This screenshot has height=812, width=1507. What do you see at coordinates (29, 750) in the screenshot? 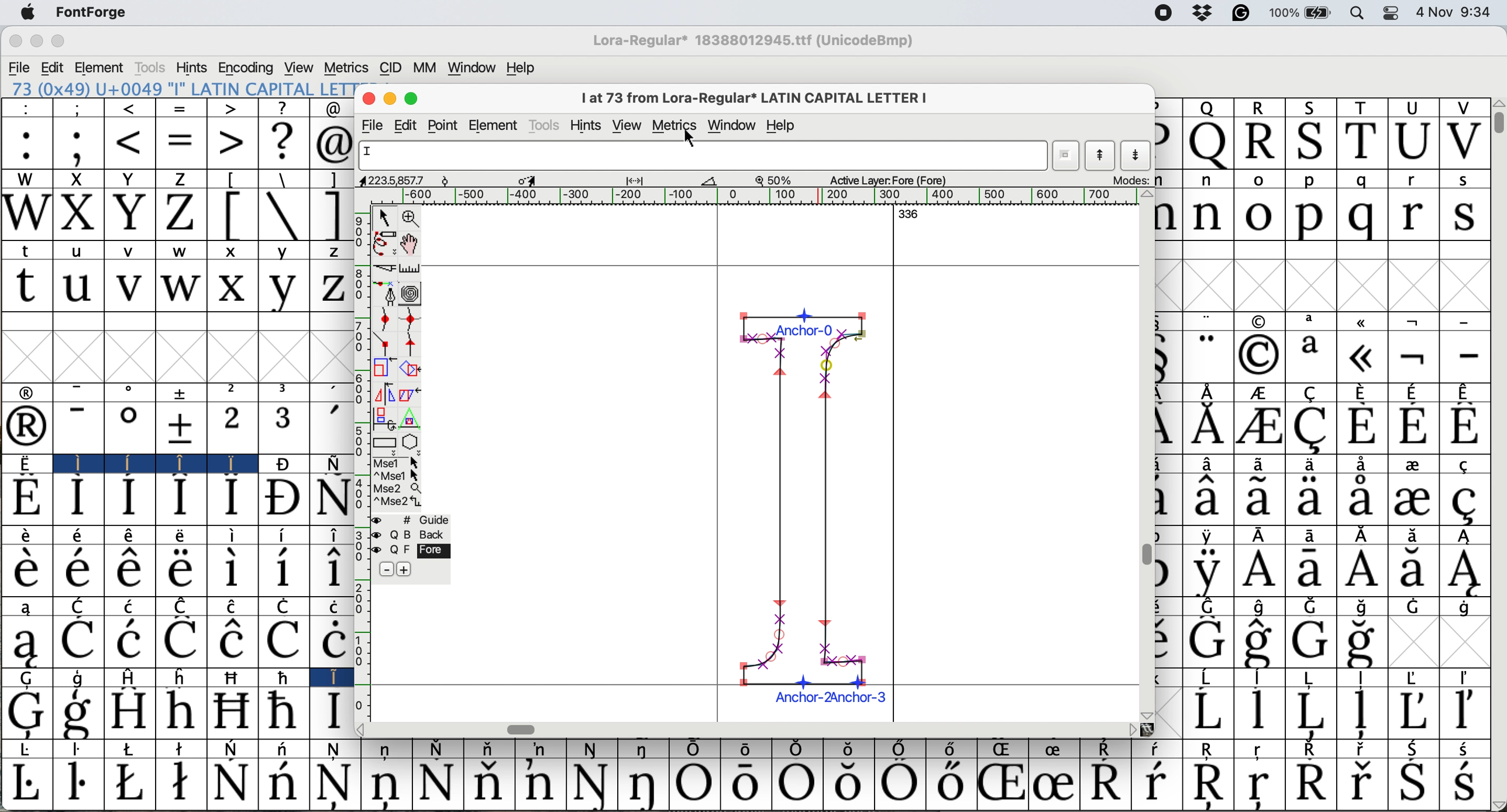
I see `Symbol` at bounding box center [29, 750].